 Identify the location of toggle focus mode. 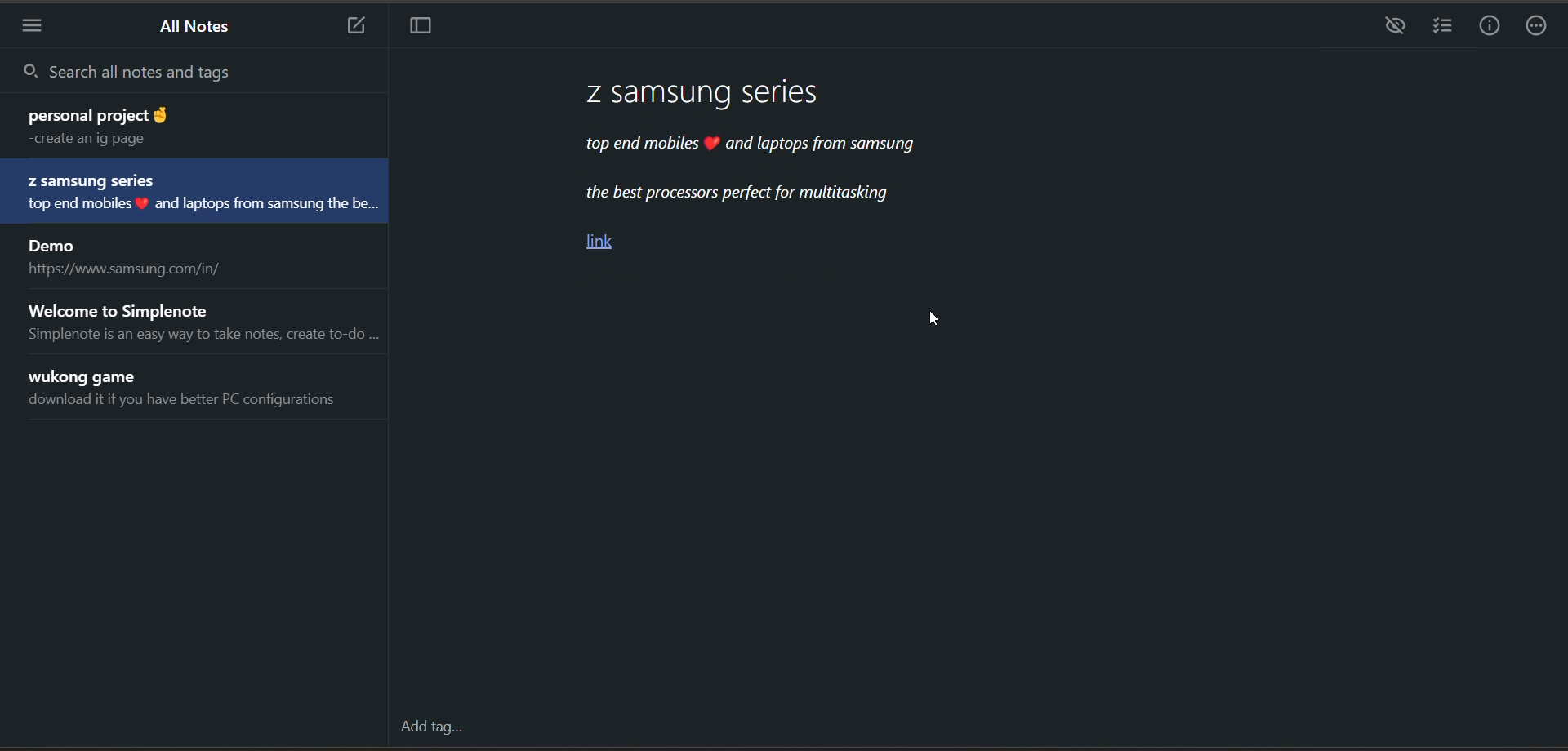
(429, 29).